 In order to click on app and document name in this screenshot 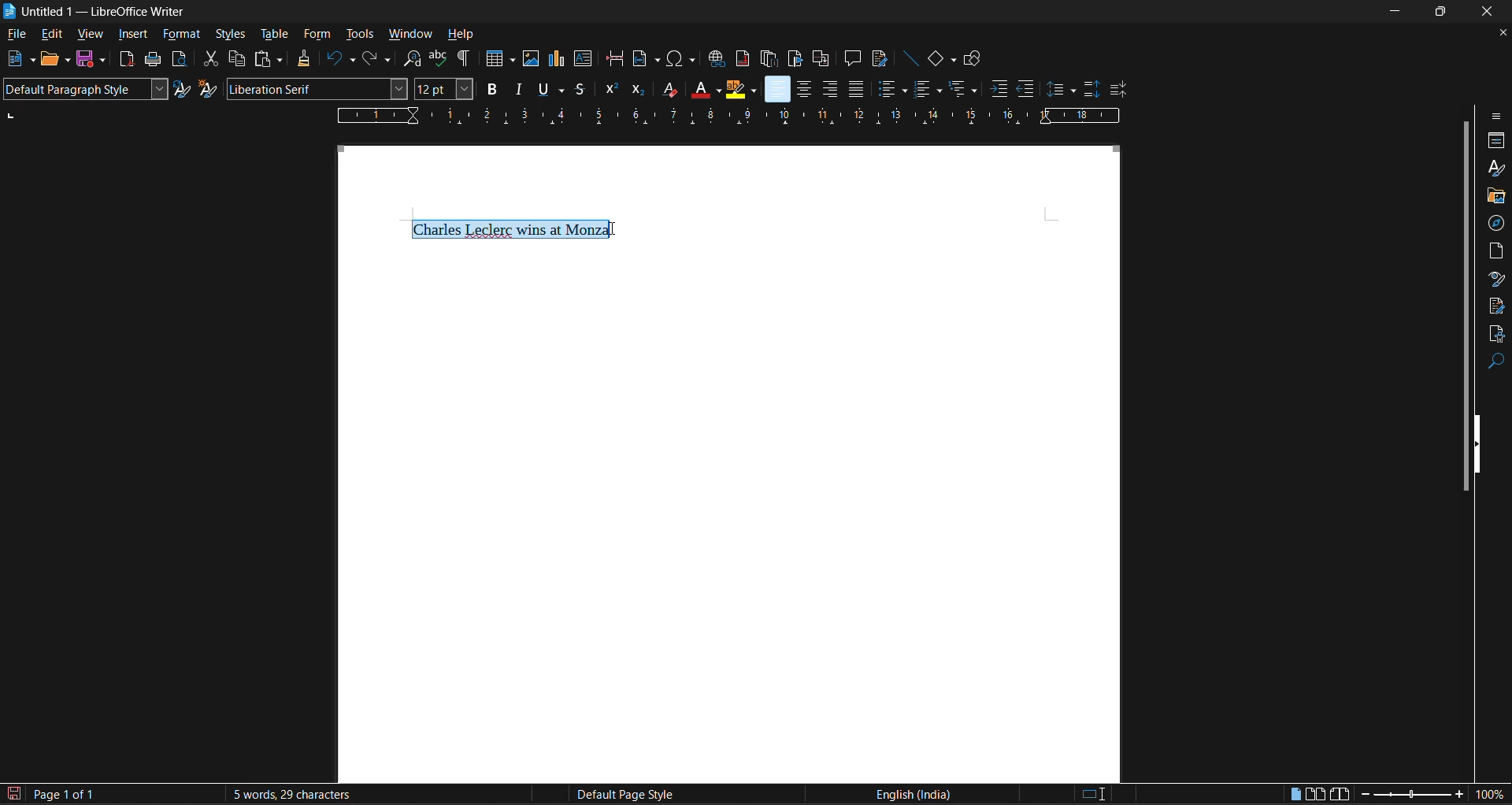, I will do `click(98, 11)`.